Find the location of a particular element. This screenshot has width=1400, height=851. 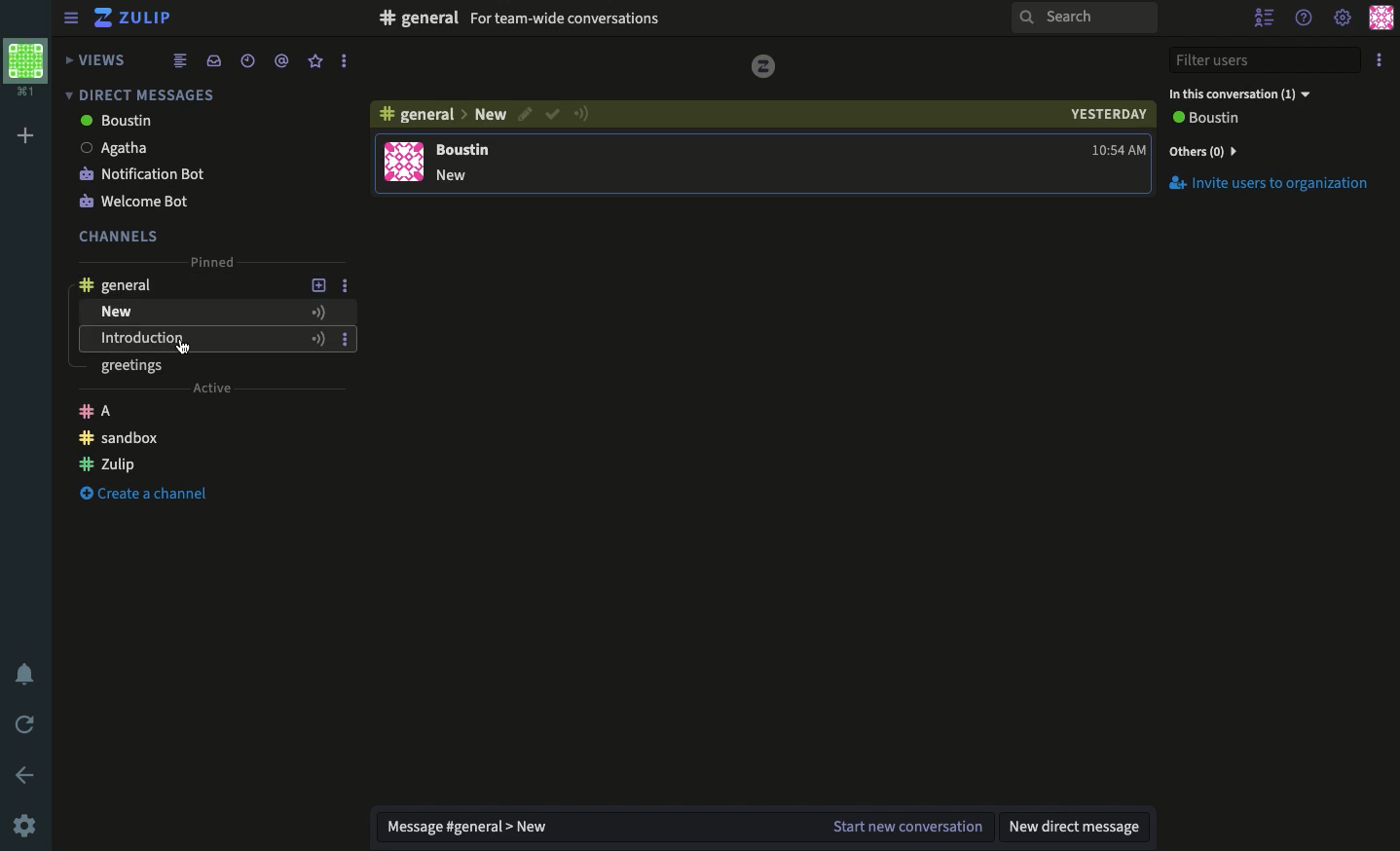

Search is located at coordinates (1083, 18).